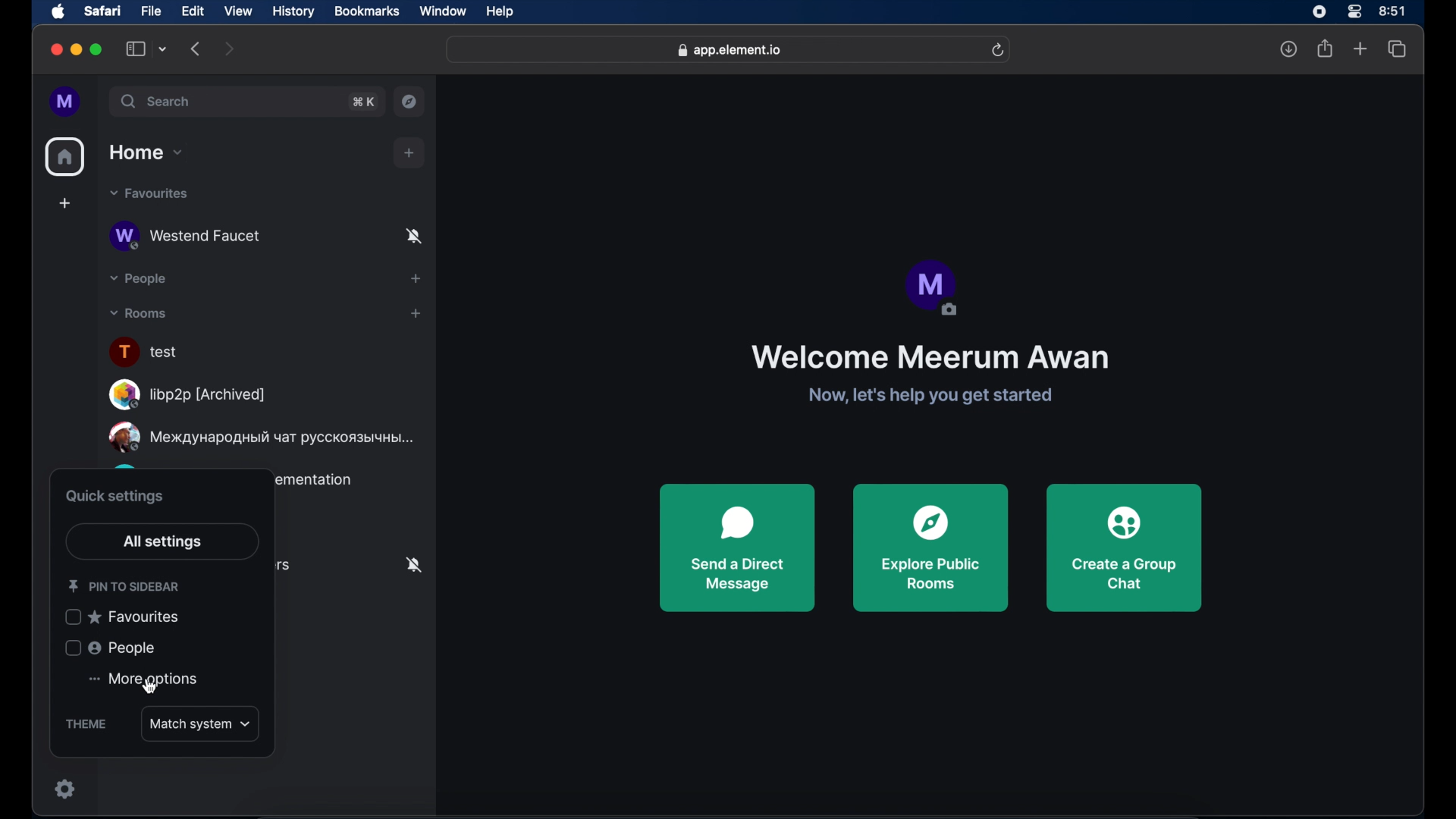 The image size is (1456, 819). Describe the element at coordinates (104, 11) in the screenshot. I see `safari` at that location.